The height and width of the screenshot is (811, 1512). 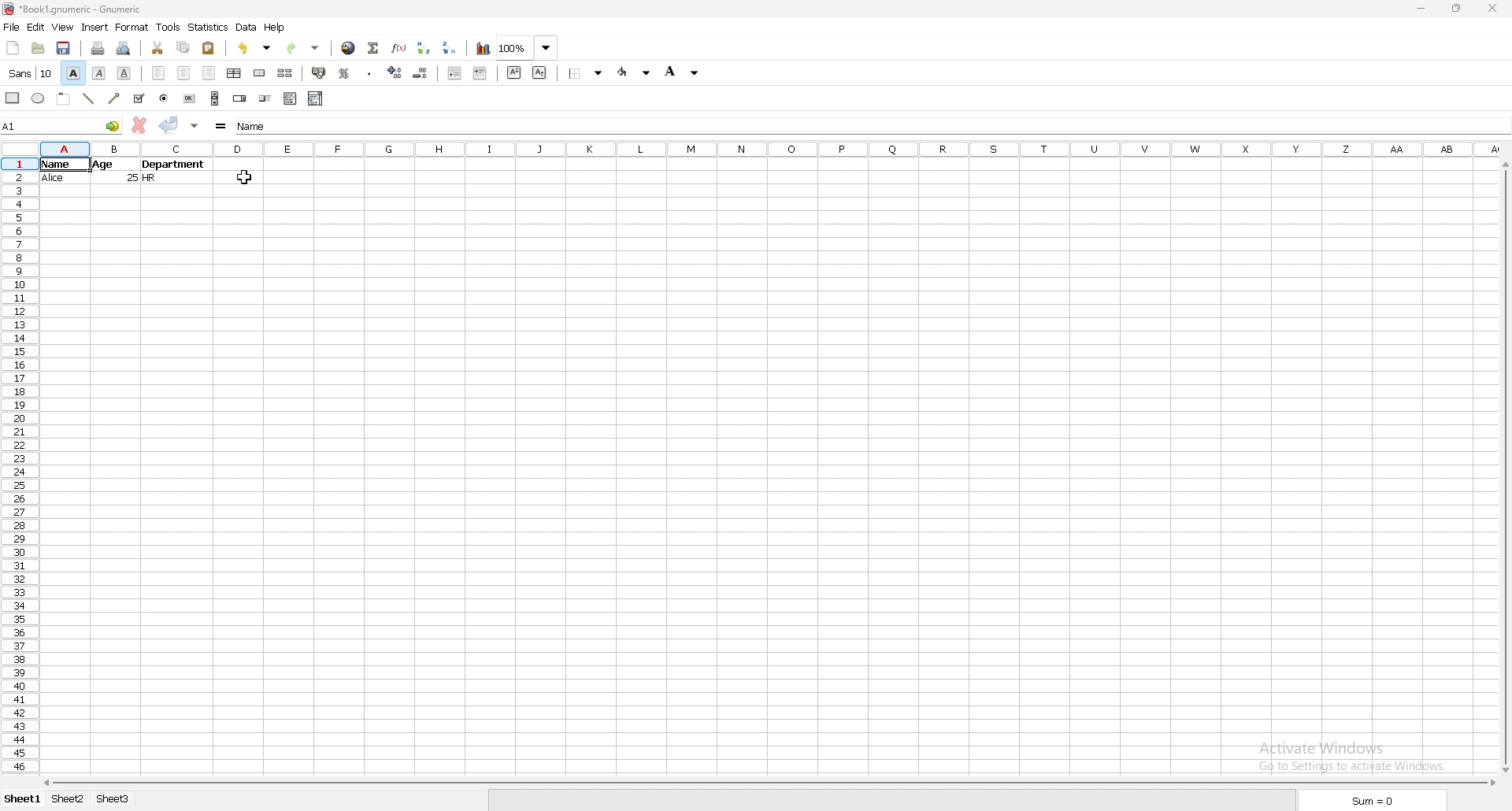 What do you see at coordinates (39, 98) in the screenshot?
I see `ellipse` at bounding box center [39, 98].